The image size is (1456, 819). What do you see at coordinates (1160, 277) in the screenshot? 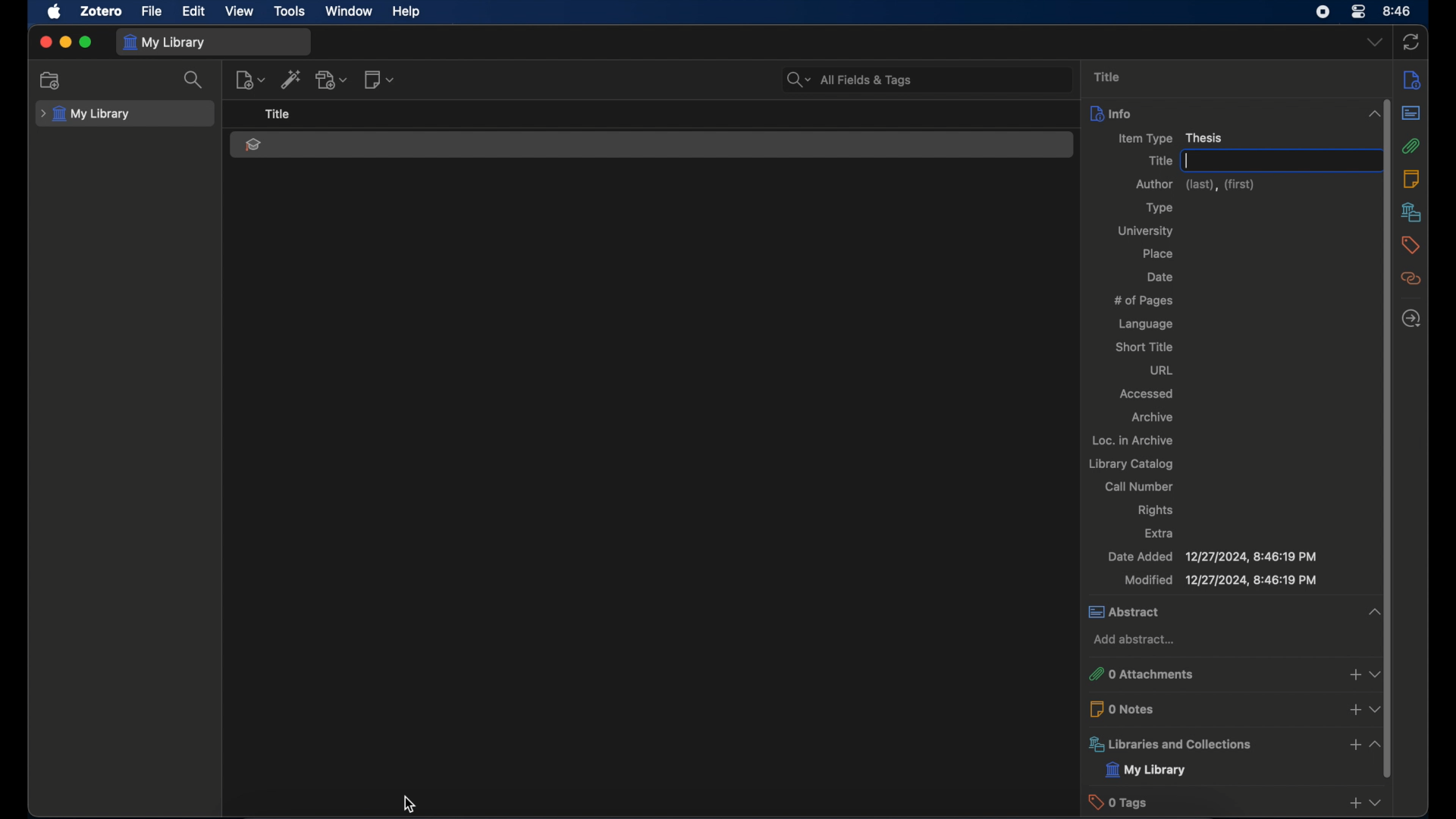
I see `date` at bounding box center [1160, 277].